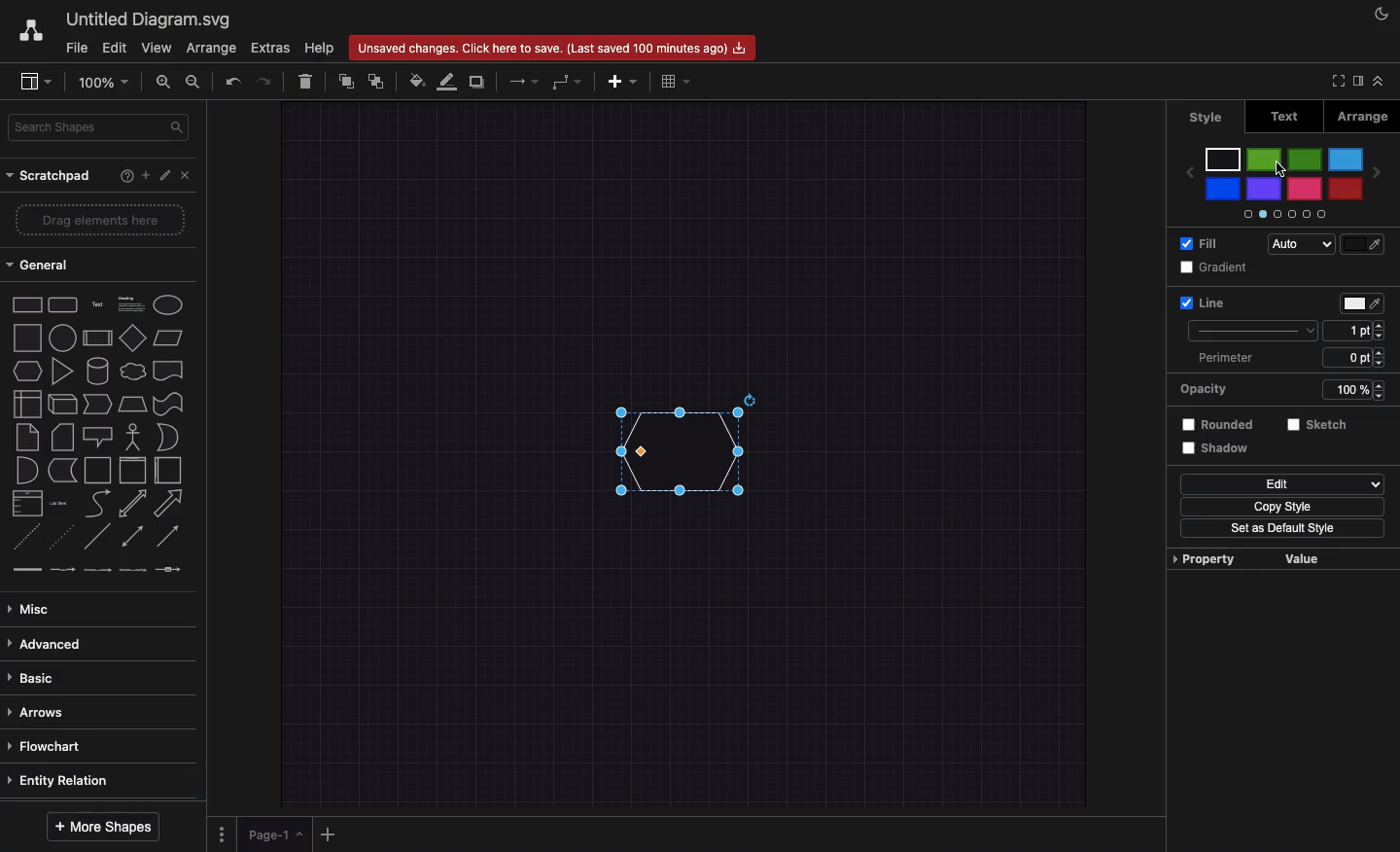  Describe the element at coordinates (1303, 244) in the screenshot. I see `Auto` at that location.